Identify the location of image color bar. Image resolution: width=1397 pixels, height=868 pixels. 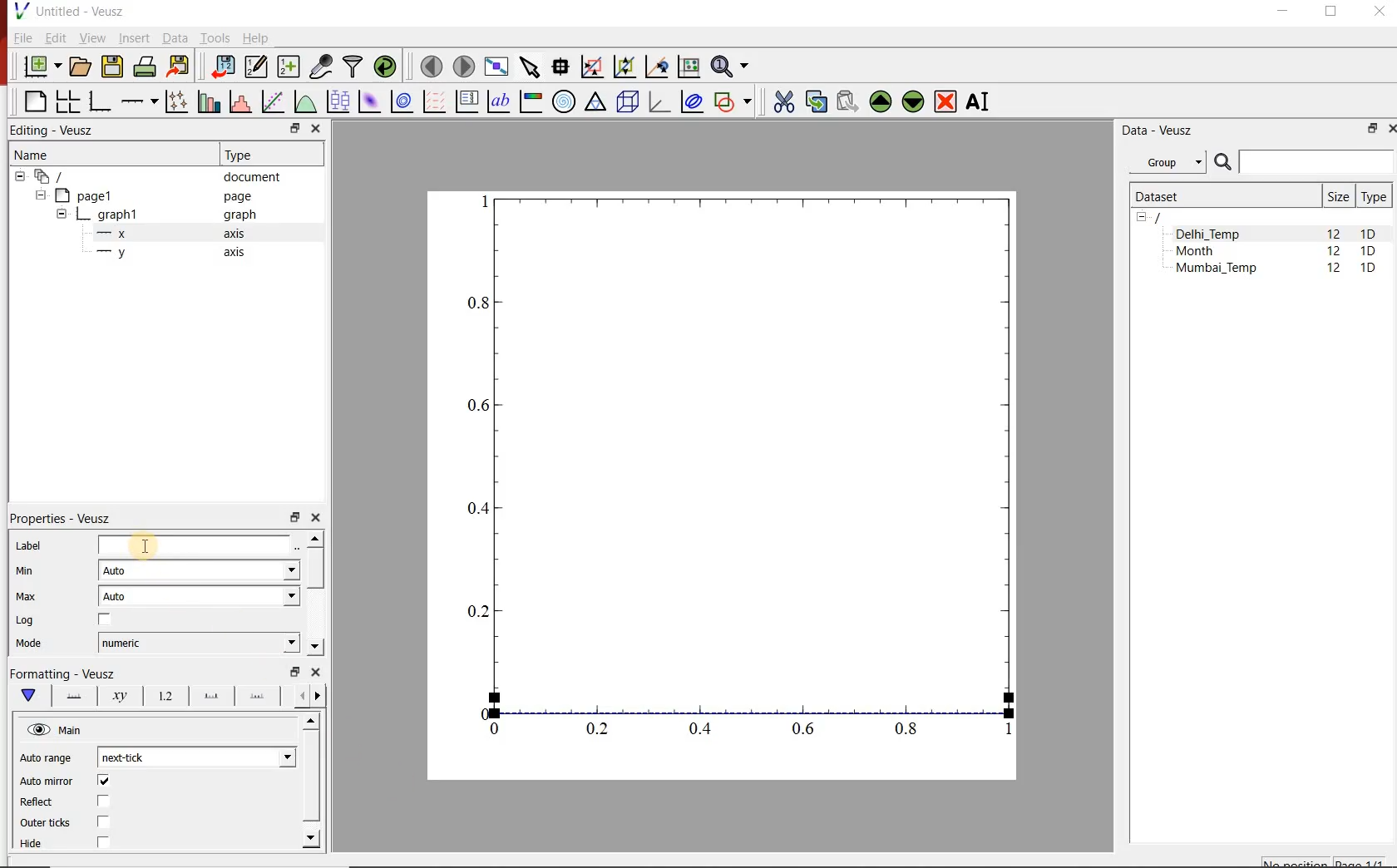
(531, 101).